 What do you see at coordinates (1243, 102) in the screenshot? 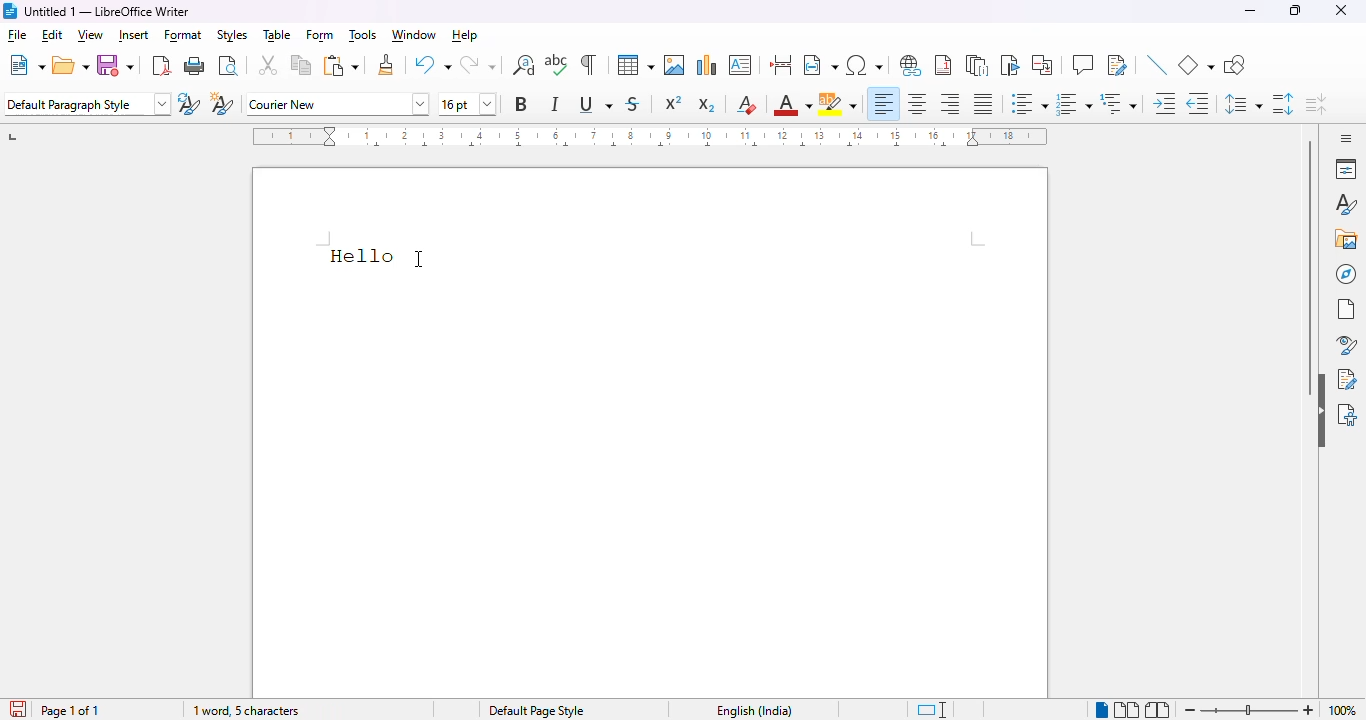
I see `set line spacing` at bounding box center [1243, 102].